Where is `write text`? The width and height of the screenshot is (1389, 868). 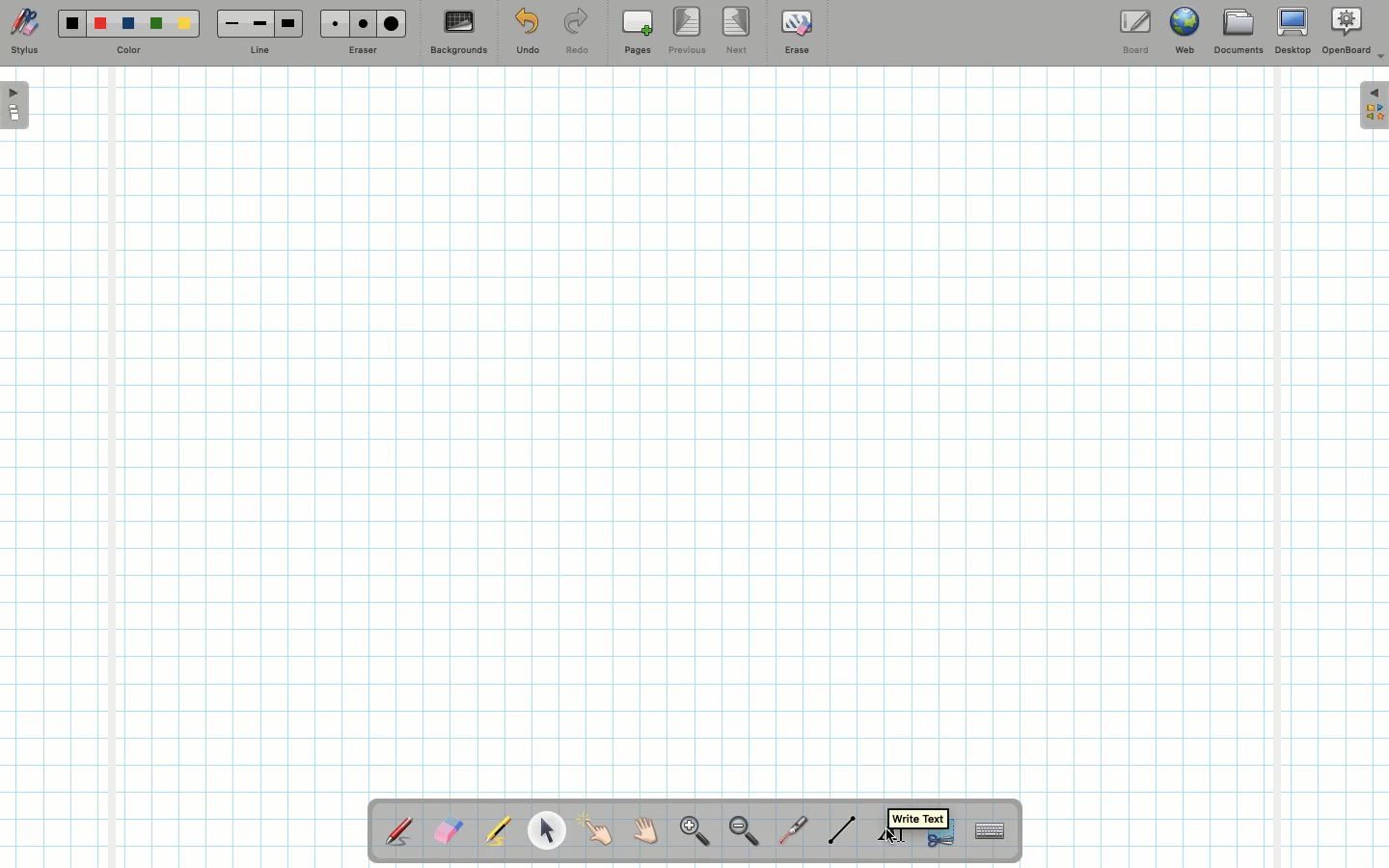 write text is located at coordinates (919, 818).